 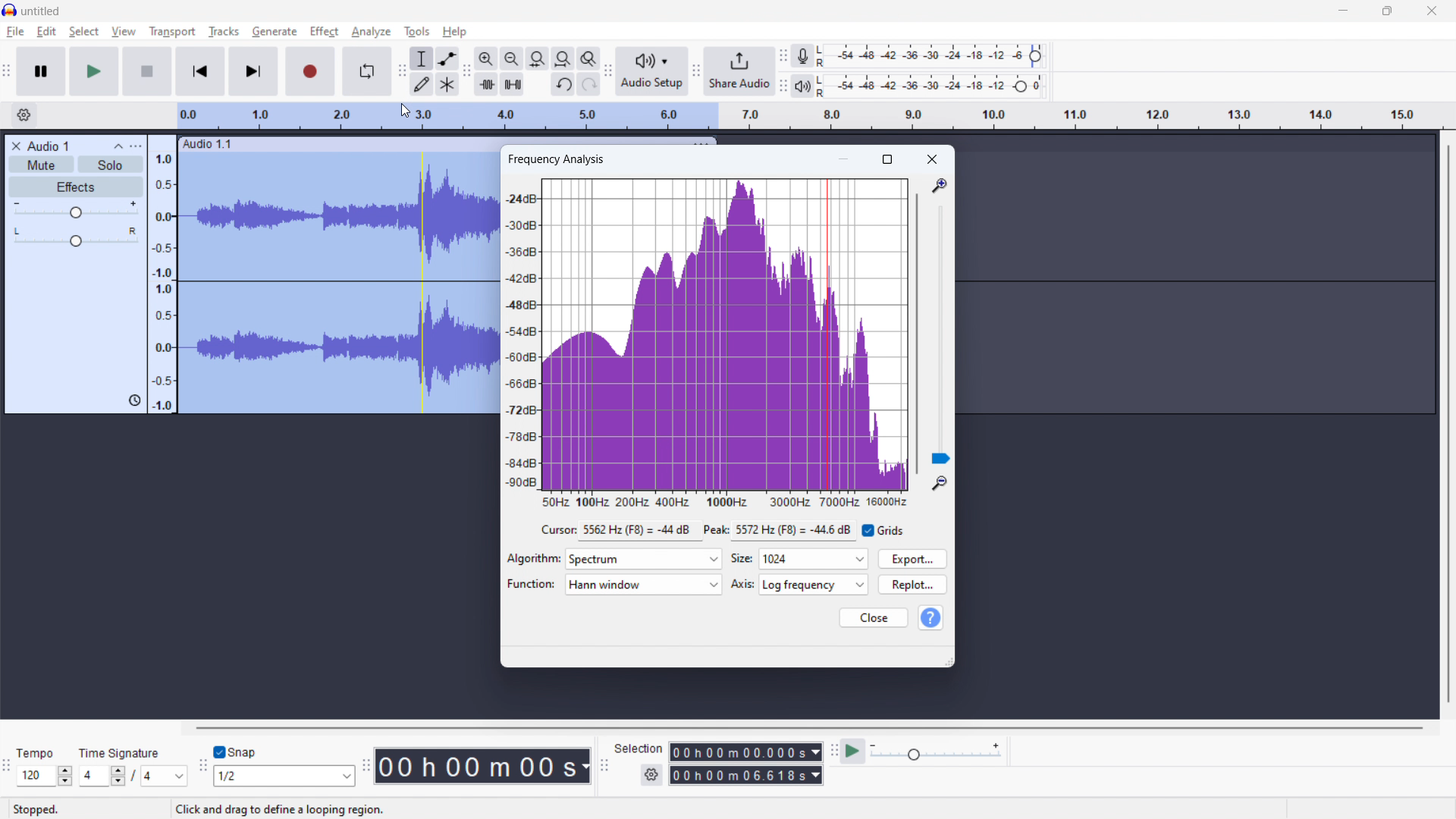 I want to click on size, so click(x=814, y=559).